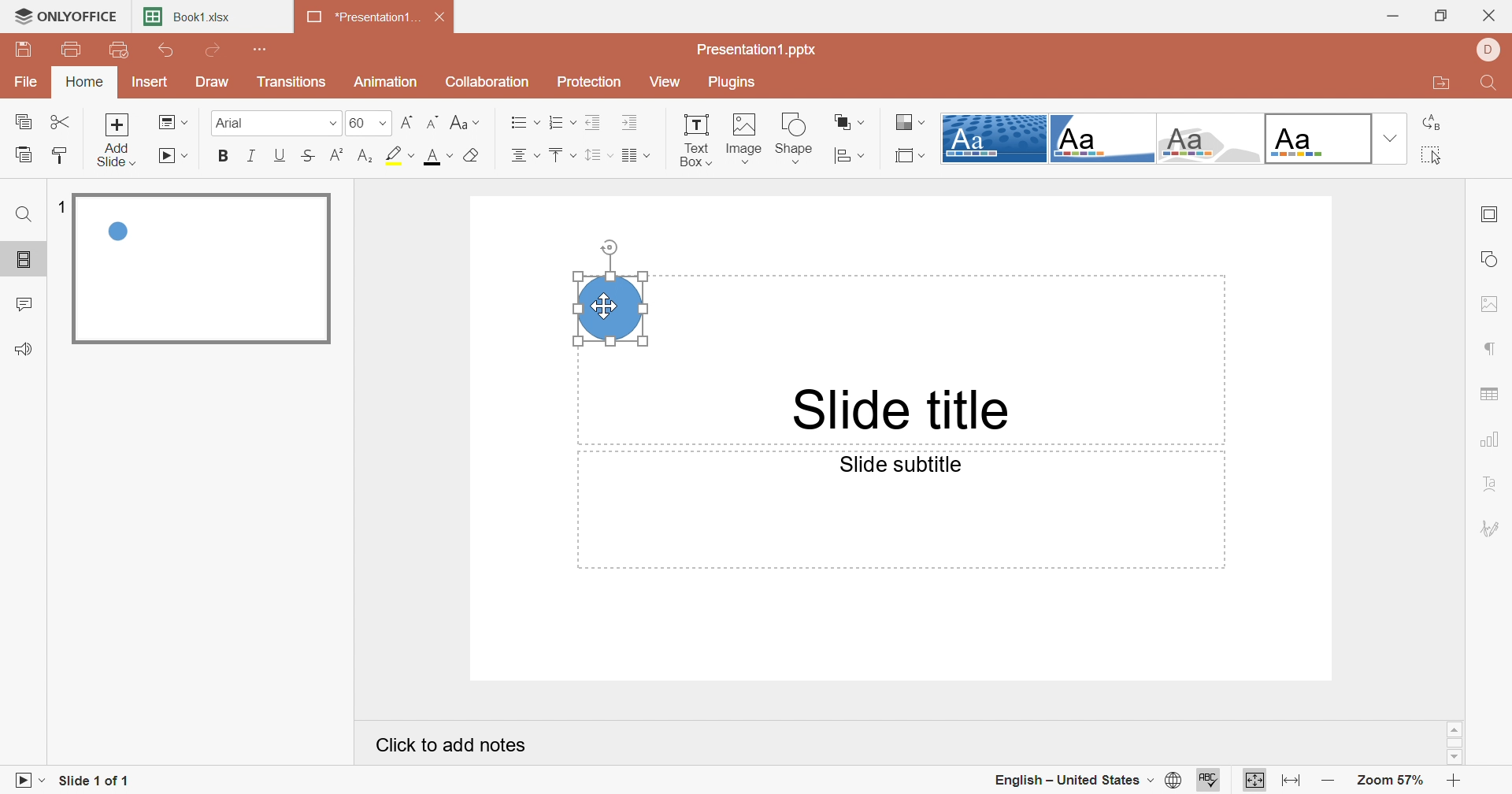  Describe the element at coordinates (757, 48) in the screenshot. I see `Presentation.pptx` at that location.